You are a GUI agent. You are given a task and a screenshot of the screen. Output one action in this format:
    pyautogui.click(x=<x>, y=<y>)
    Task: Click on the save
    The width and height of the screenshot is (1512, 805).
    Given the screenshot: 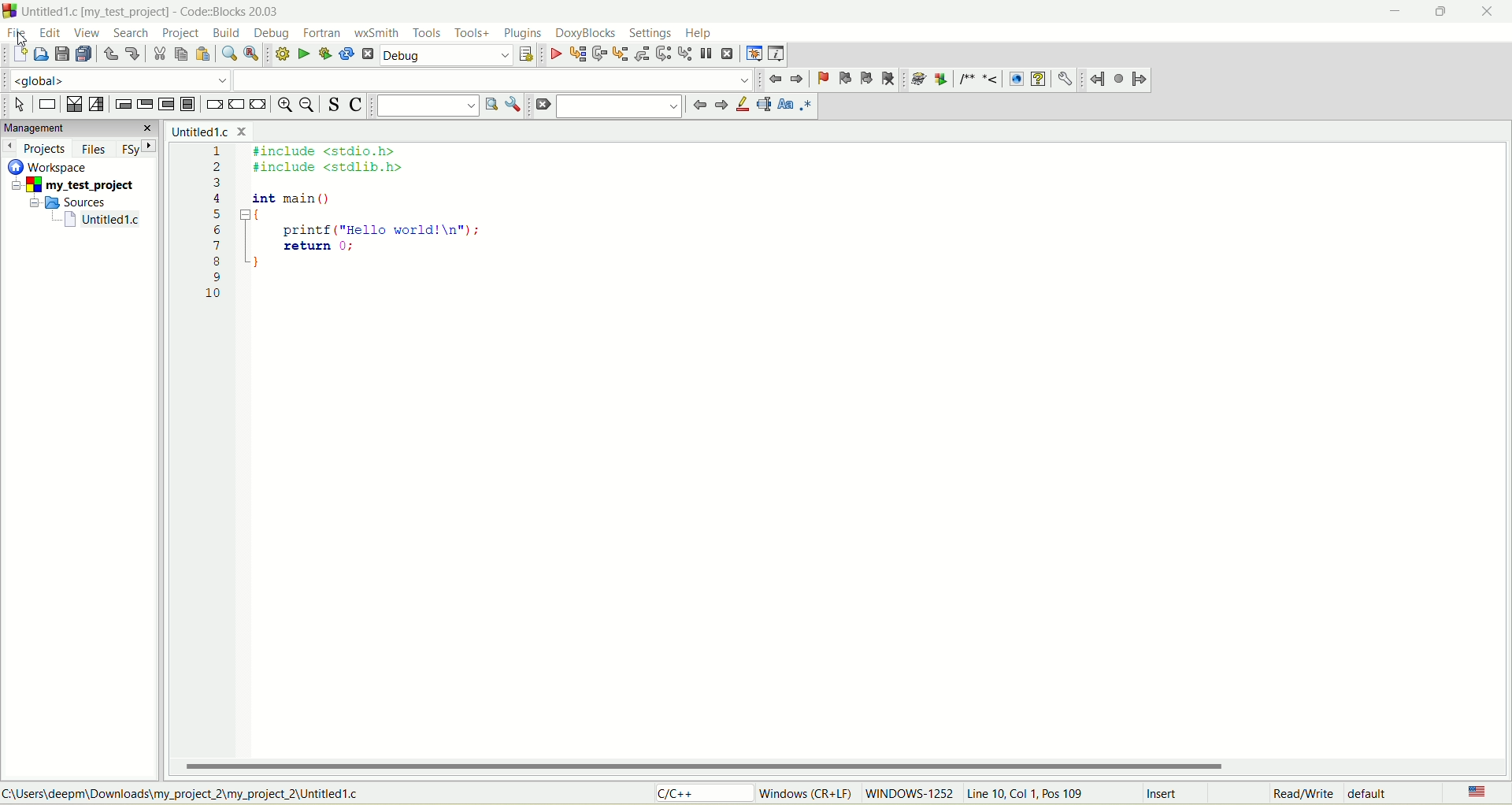 What is the action you would take?
    pyautogui.click(x=61, y=54)
    